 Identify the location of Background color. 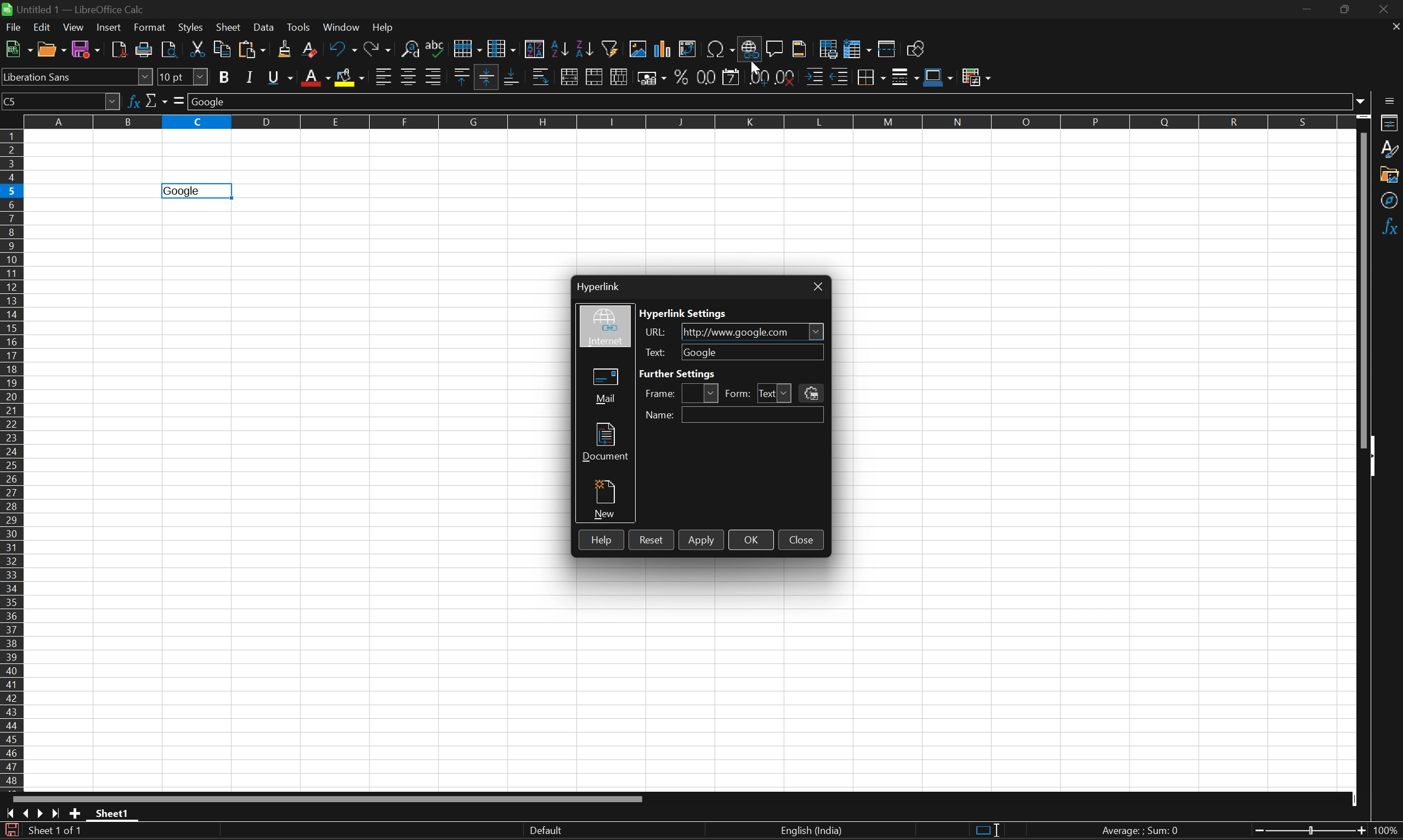
(351, 77).